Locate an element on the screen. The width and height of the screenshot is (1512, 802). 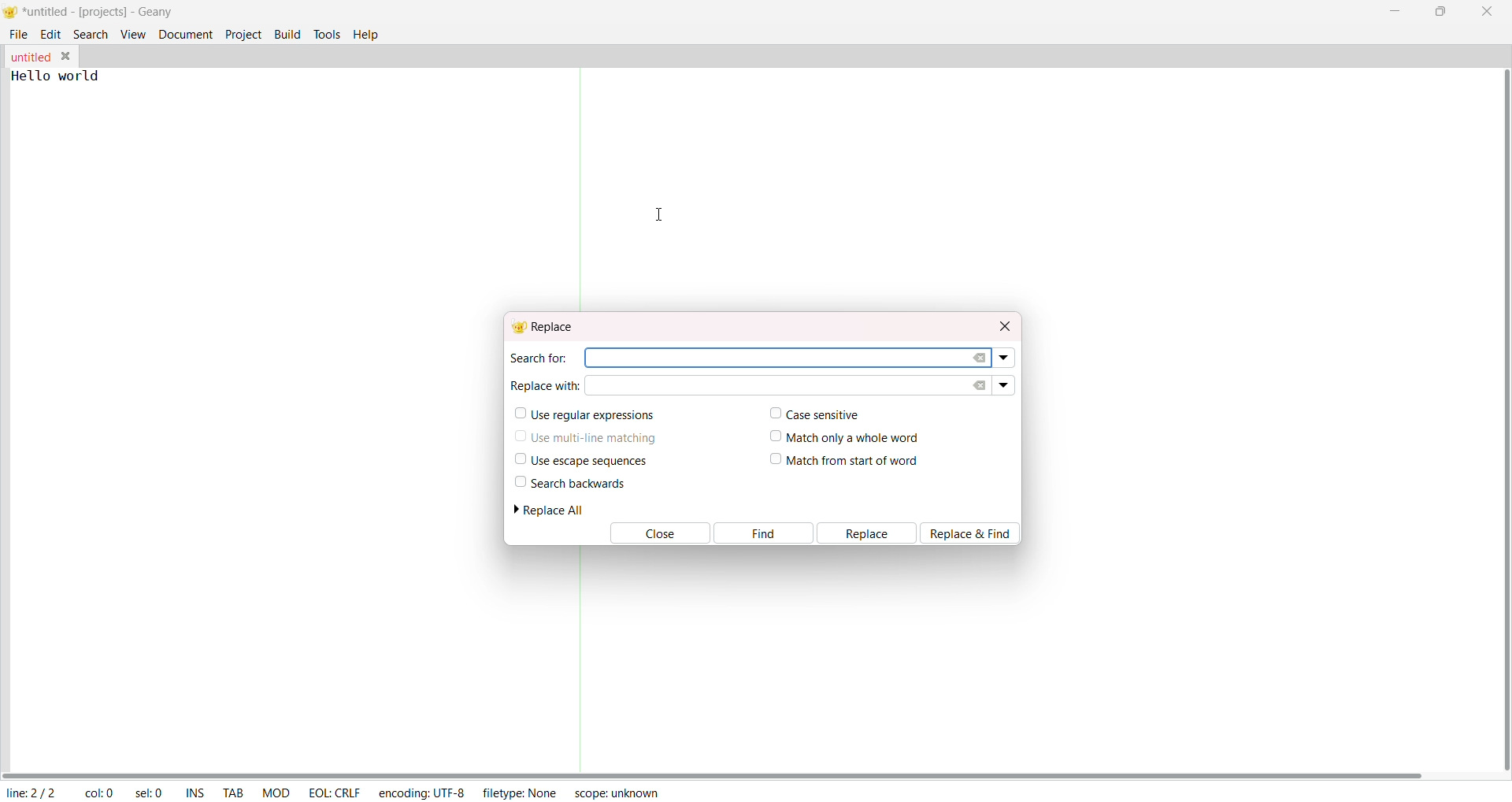
replace with is located at coordinates (545, 384).